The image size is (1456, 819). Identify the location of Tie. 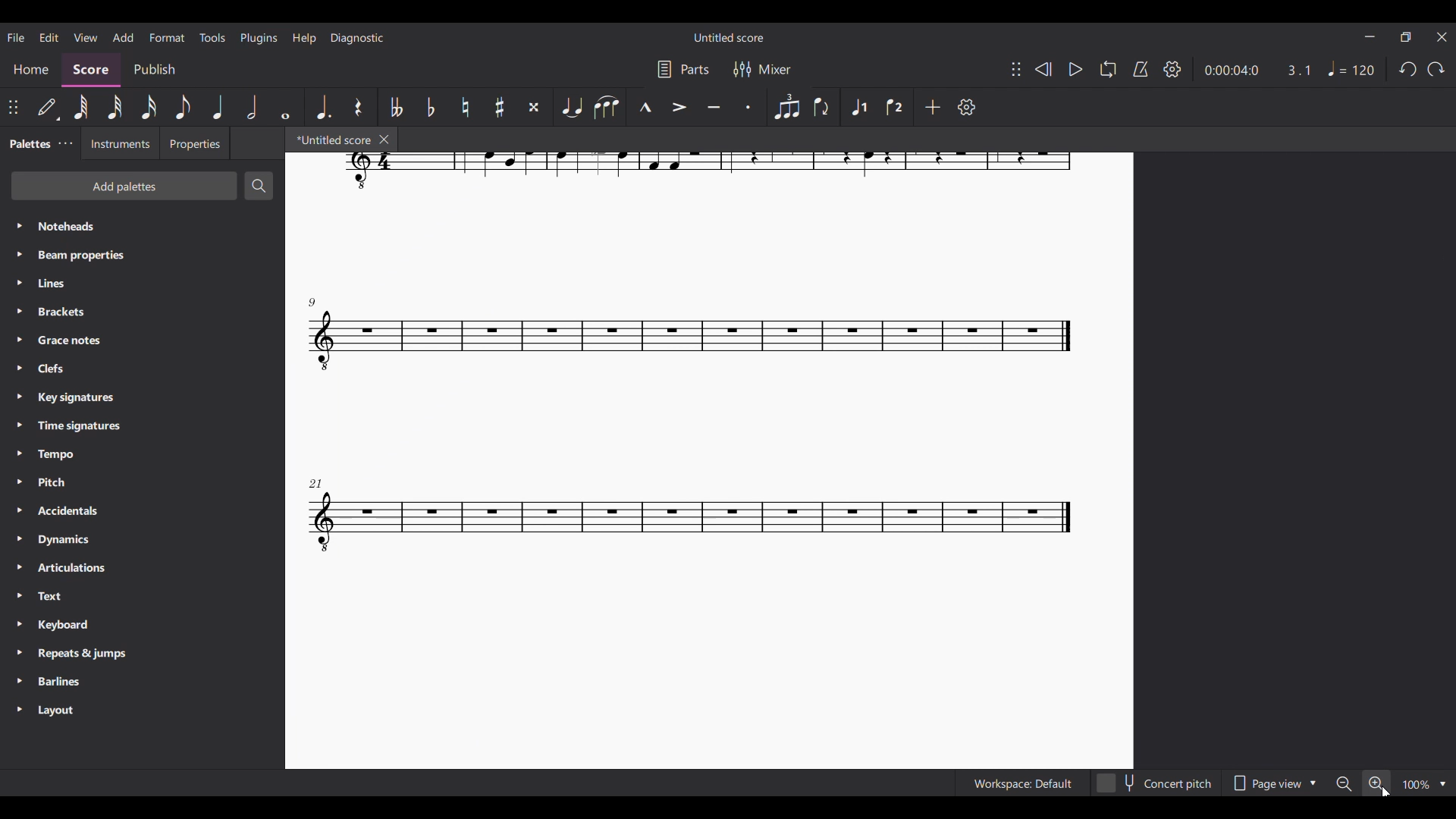
(571, 107).